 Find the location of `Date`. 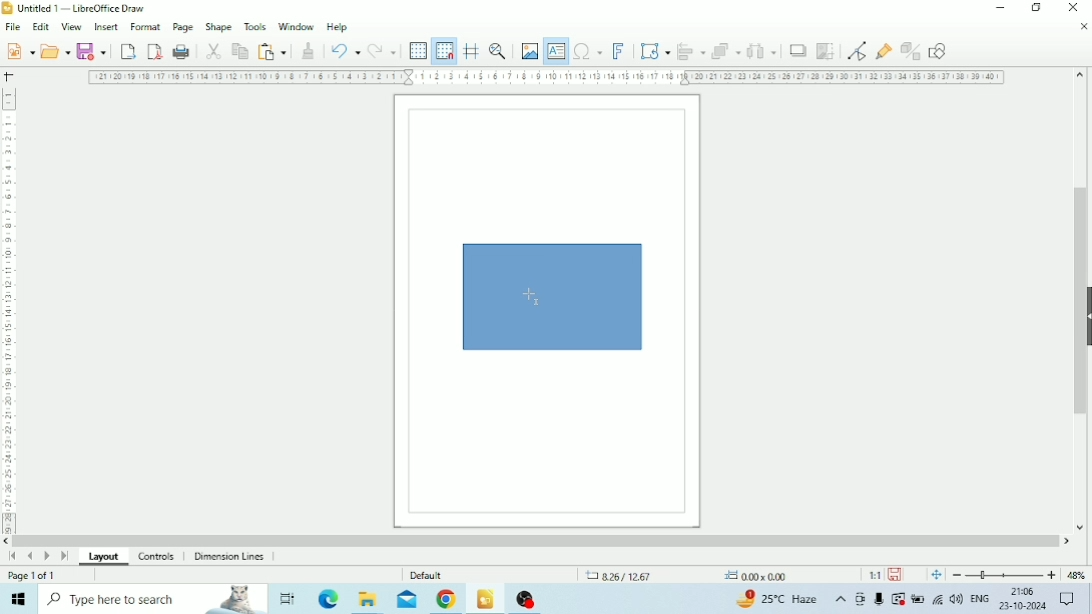

Date is located at coordinates (1024, 607).